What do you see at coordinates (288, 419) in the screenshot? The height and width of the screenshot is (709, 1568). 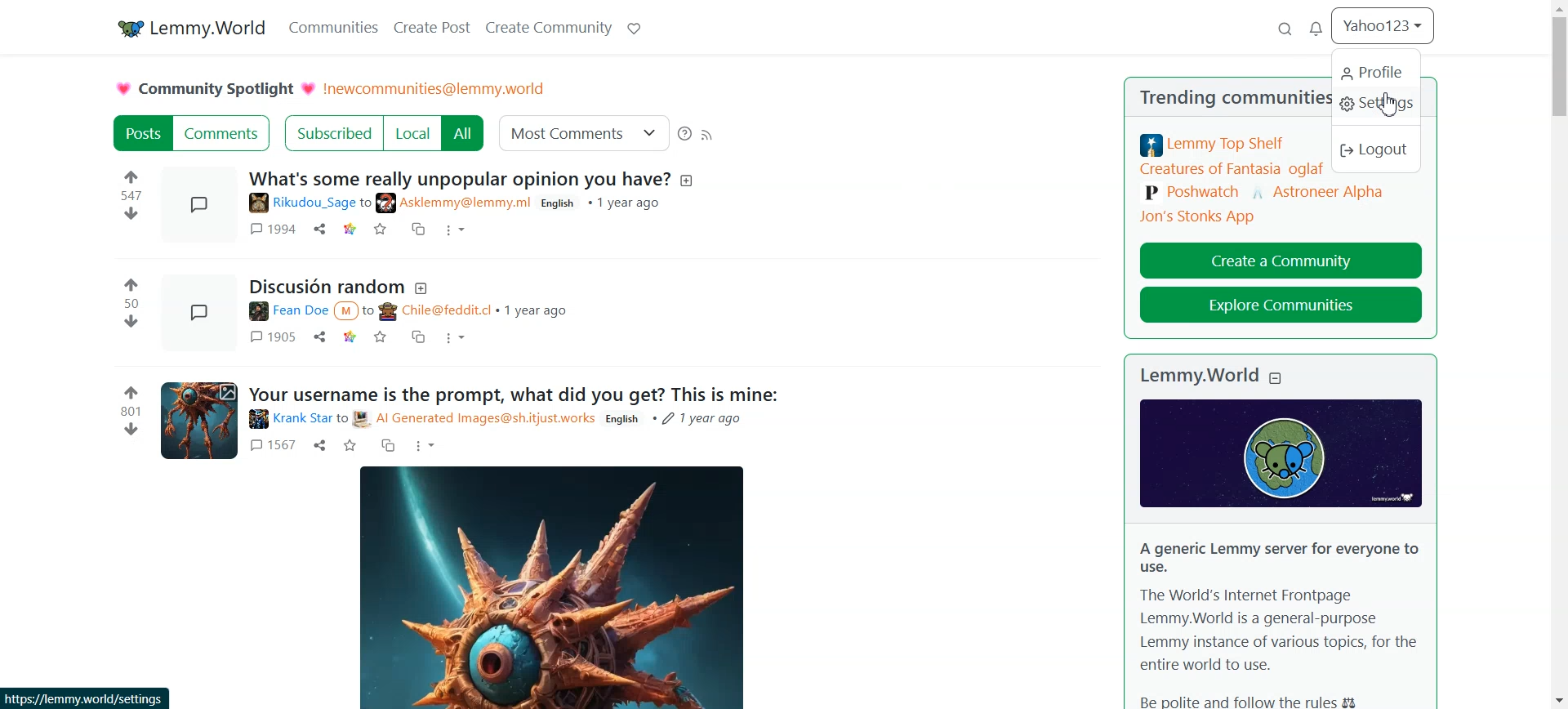 I see `krank star` at bounding box center [288, 419].